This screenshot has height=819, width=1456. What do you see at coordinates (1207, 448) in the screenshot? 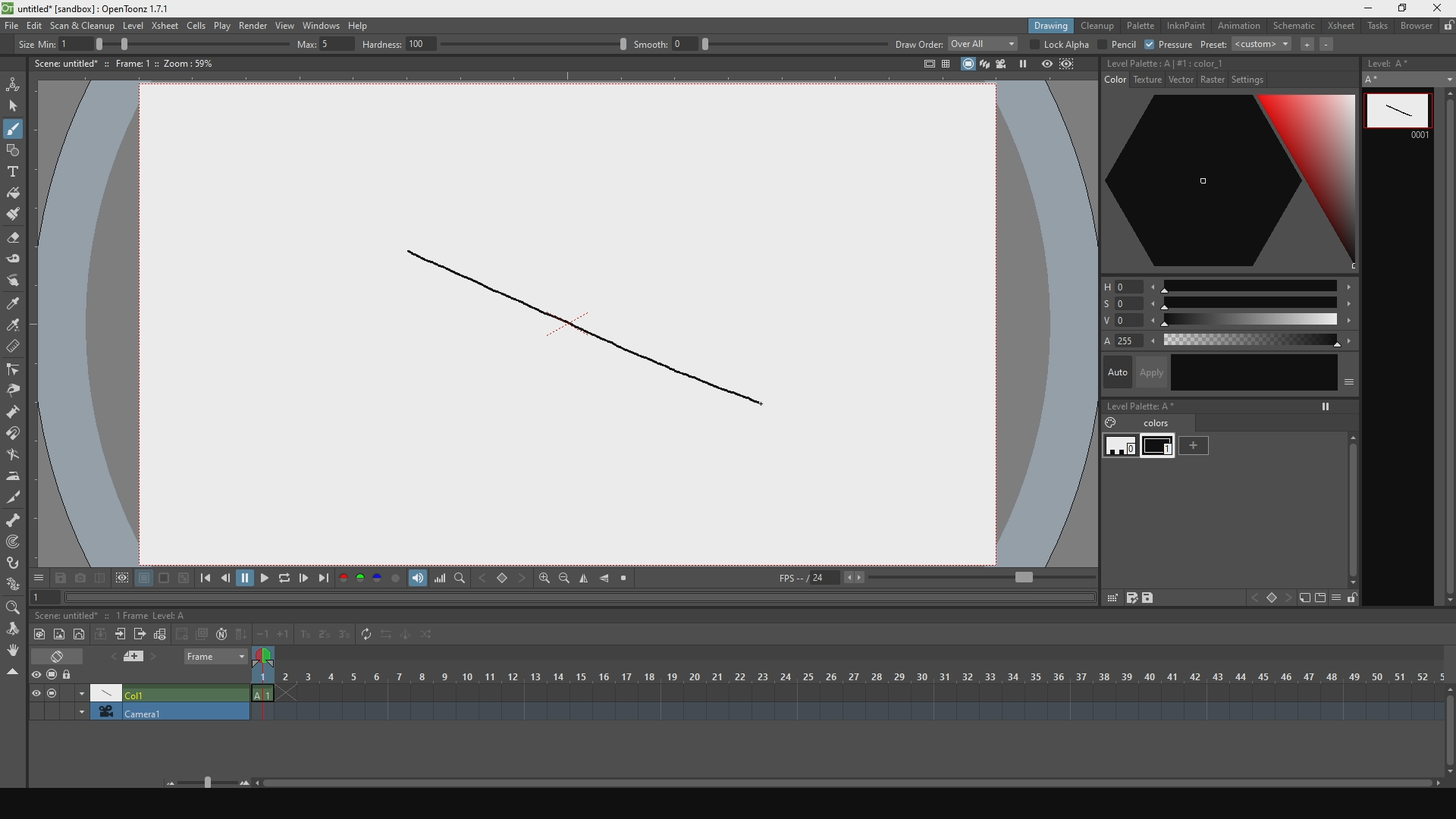
I see `add` at bounding box center [1207, 448].